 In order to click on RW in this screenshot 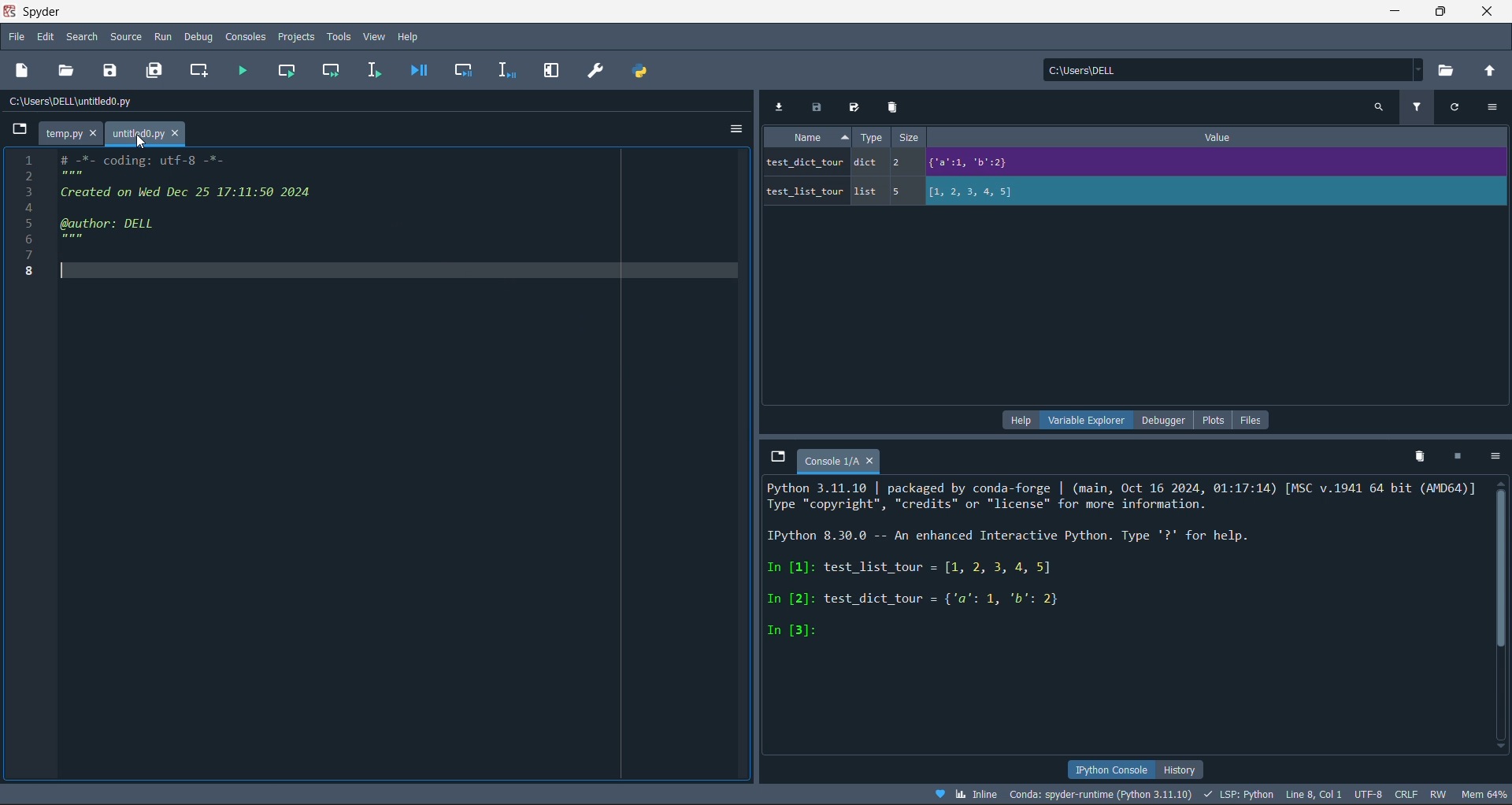, I will do `click(1439, 794)`.